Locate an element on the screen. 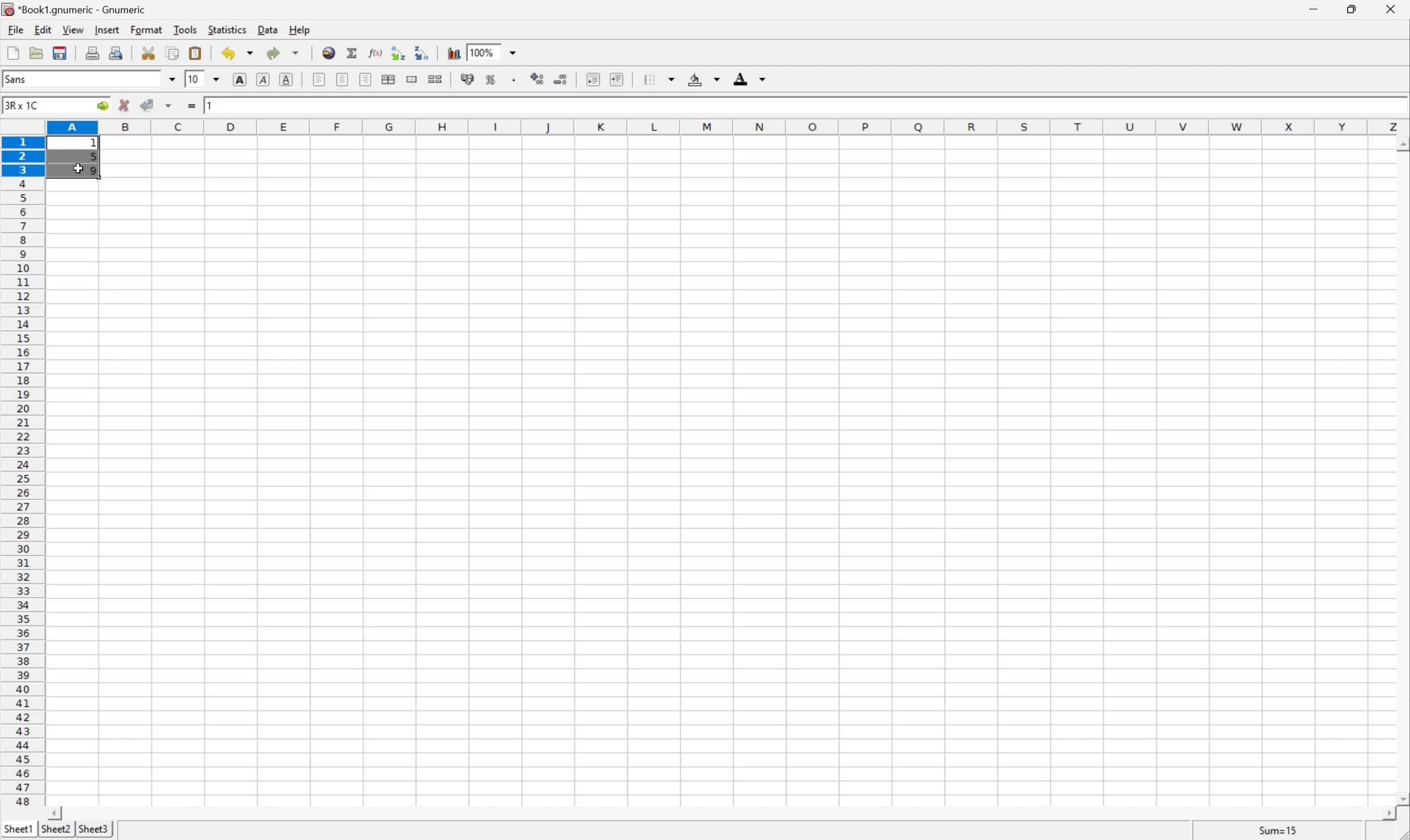 The height and width of the screenshot is (840, 1410). font is located at coordinates (22, 78).